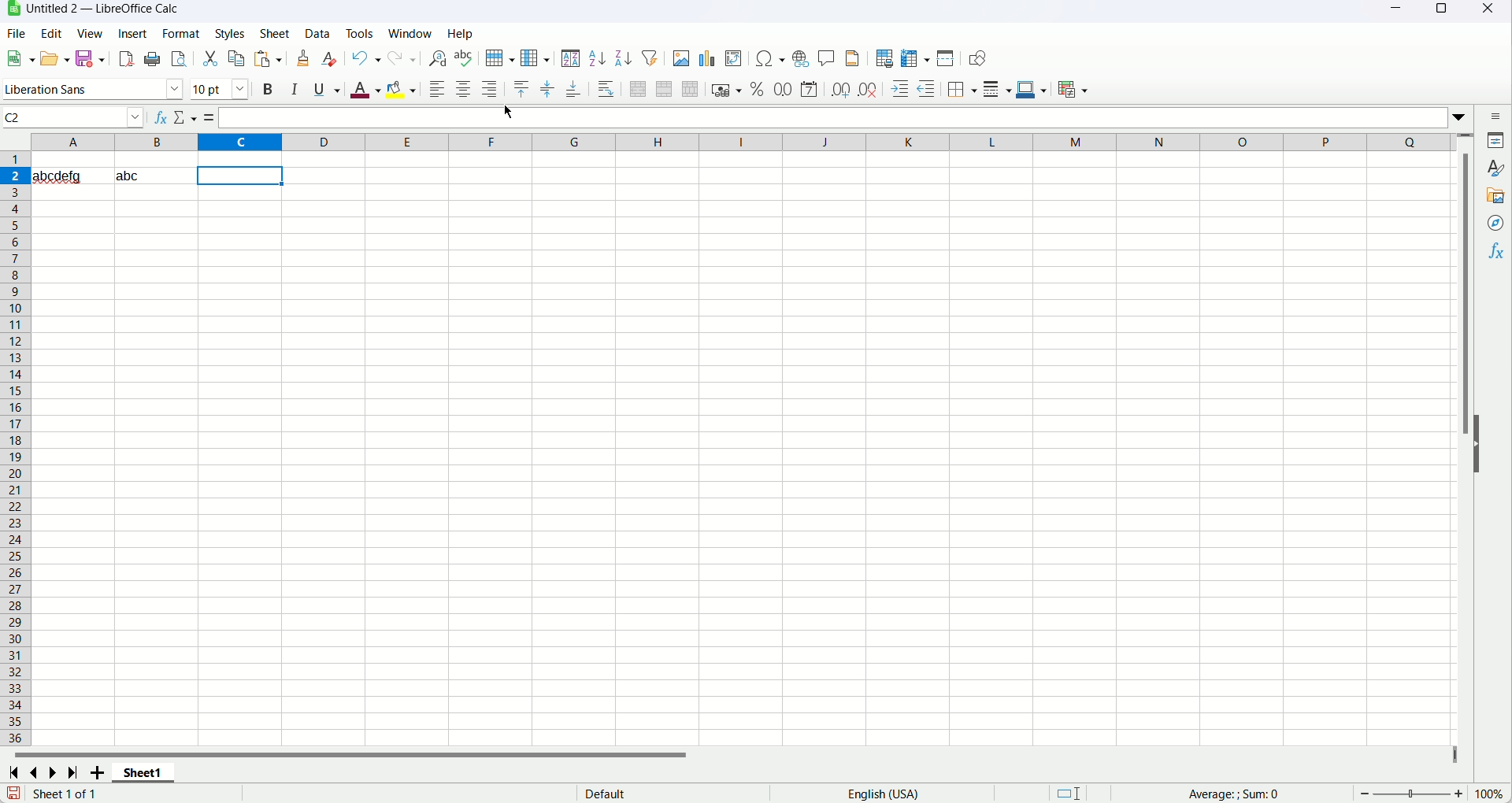 This screenshot has width=1512, height=803. Describe the element at coordinates (1490, 9) in the screenshot. I see `close` at that location.